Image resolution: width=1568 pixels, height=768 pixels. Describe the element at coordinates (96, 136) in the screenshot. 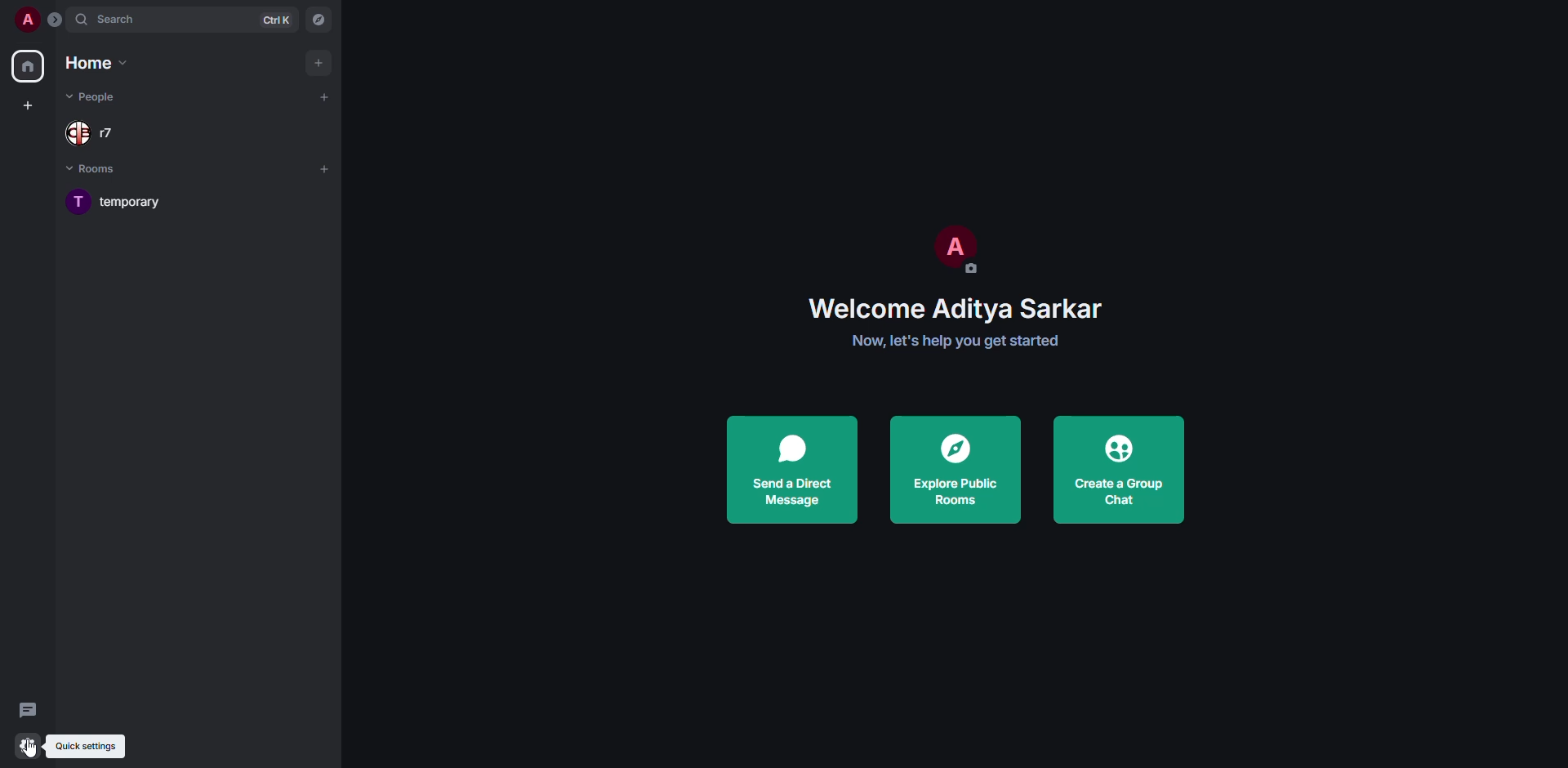

I see `people` at that location.